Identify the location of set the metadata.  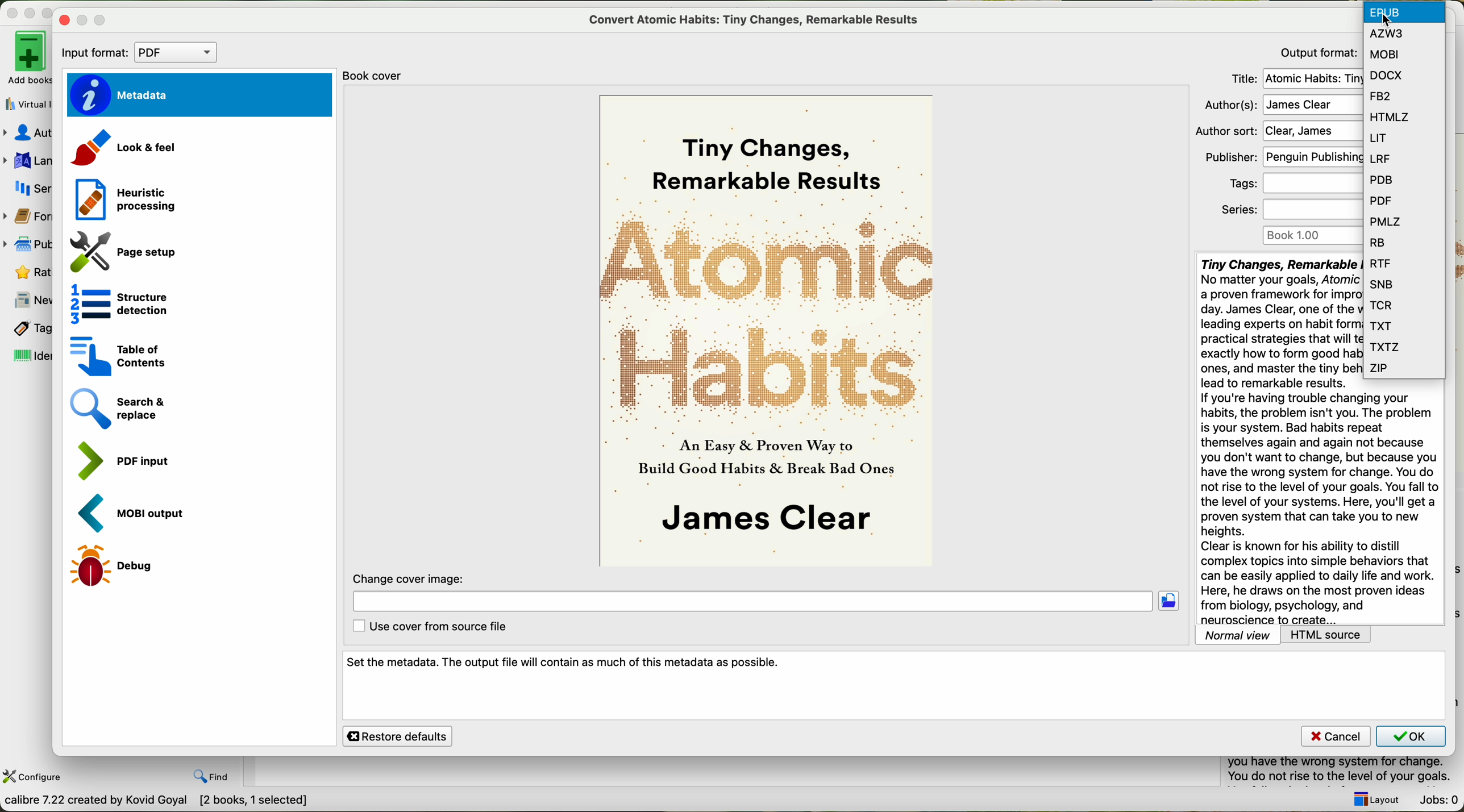
(894, 686).